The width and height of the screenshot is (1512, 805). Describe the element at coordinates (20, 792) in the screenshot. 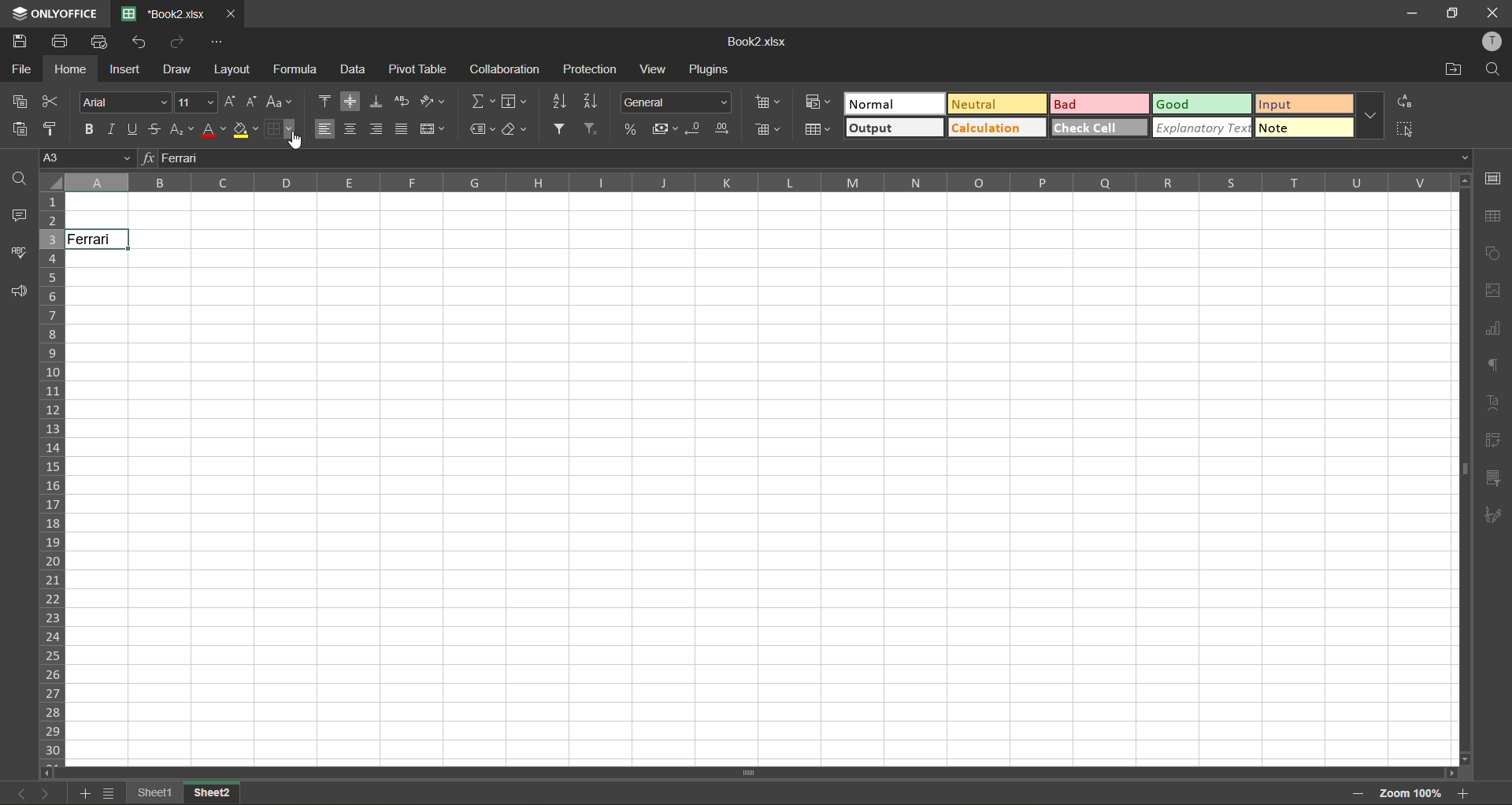

I see `previous` at that location.